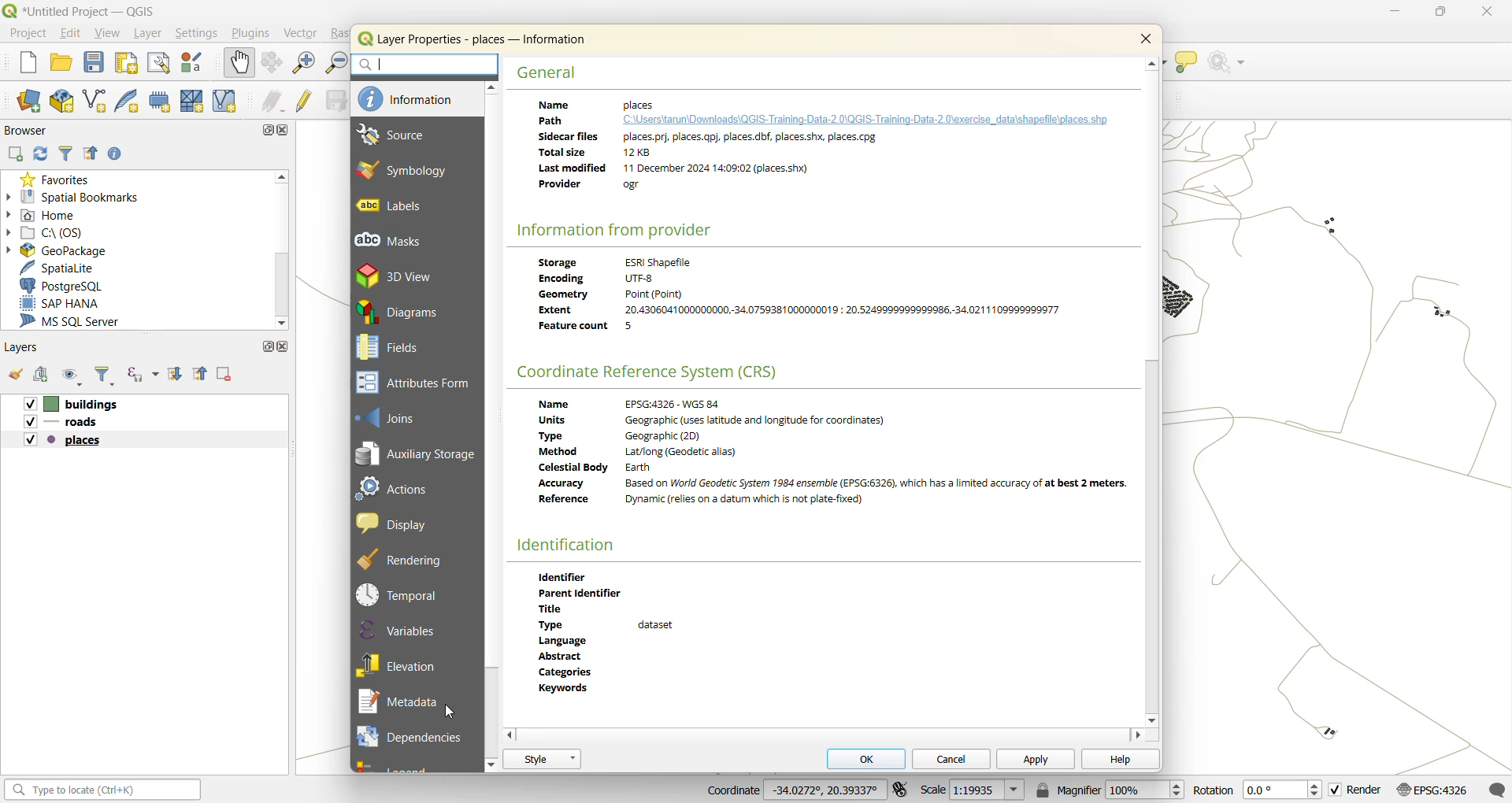 The height and width of the screenshot is (803, 1512). Describe the element at coordinates (396, 493) in the screenshot. I see `actions` at that location.